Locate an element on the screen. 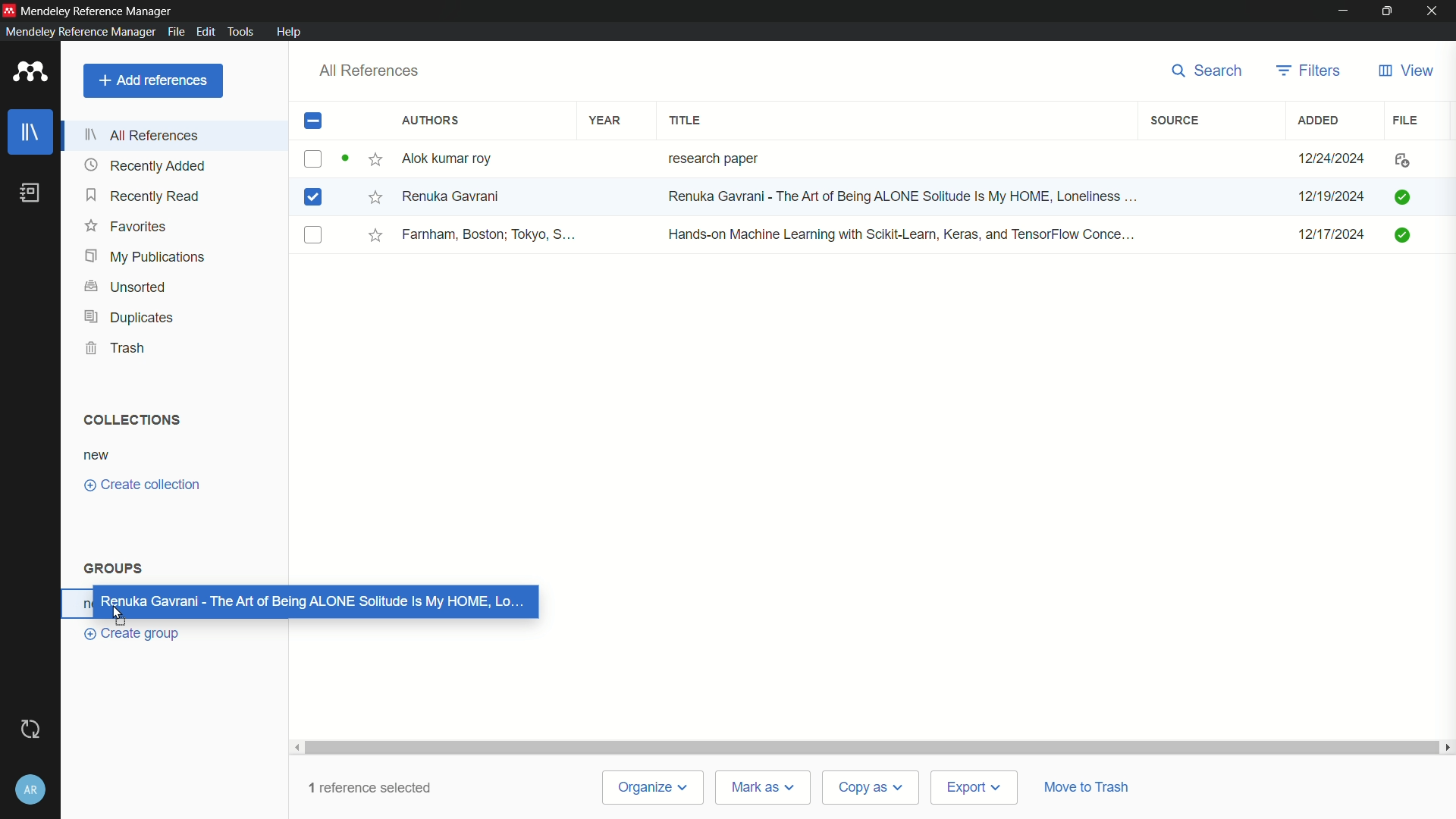 The image size is (1456, 819). mark as is located at coordinates (759, 786).